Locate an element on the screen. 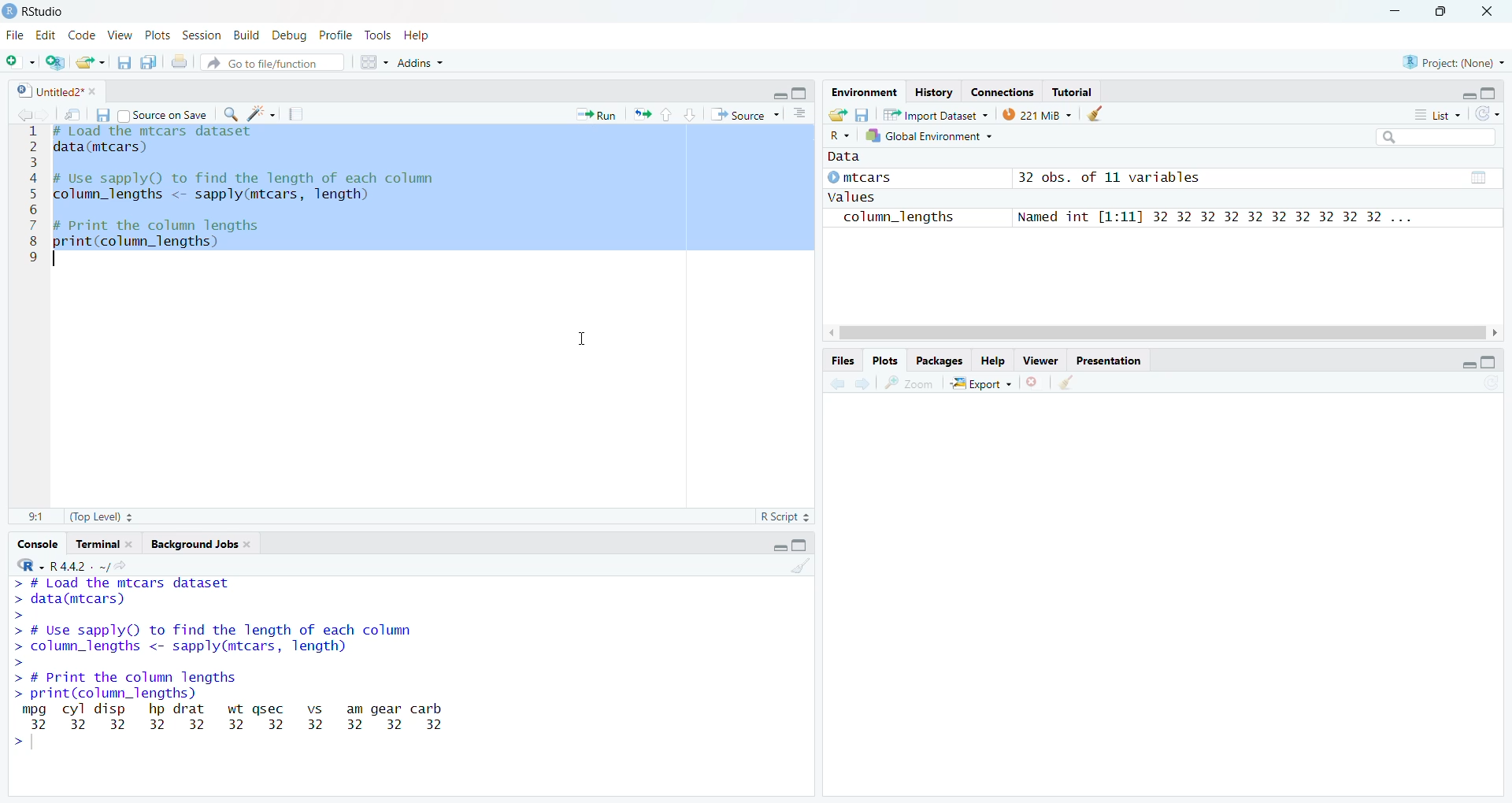 This screenshot has width=1512, height=803. Debug is located at coordinates (291, 35).